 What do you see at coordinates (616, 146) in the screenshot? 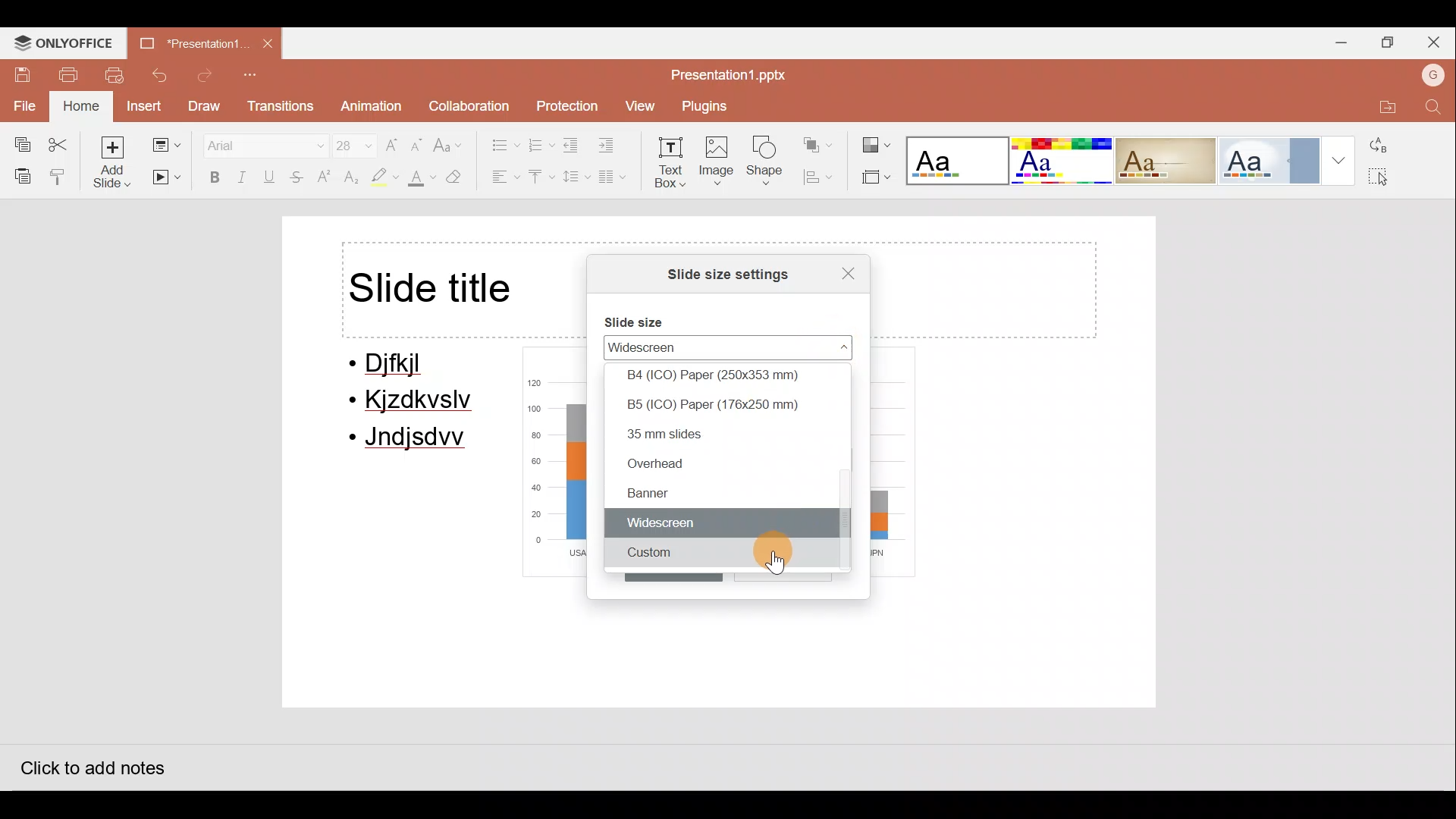
I see `Increase indent` at bounding box center [616, 146].